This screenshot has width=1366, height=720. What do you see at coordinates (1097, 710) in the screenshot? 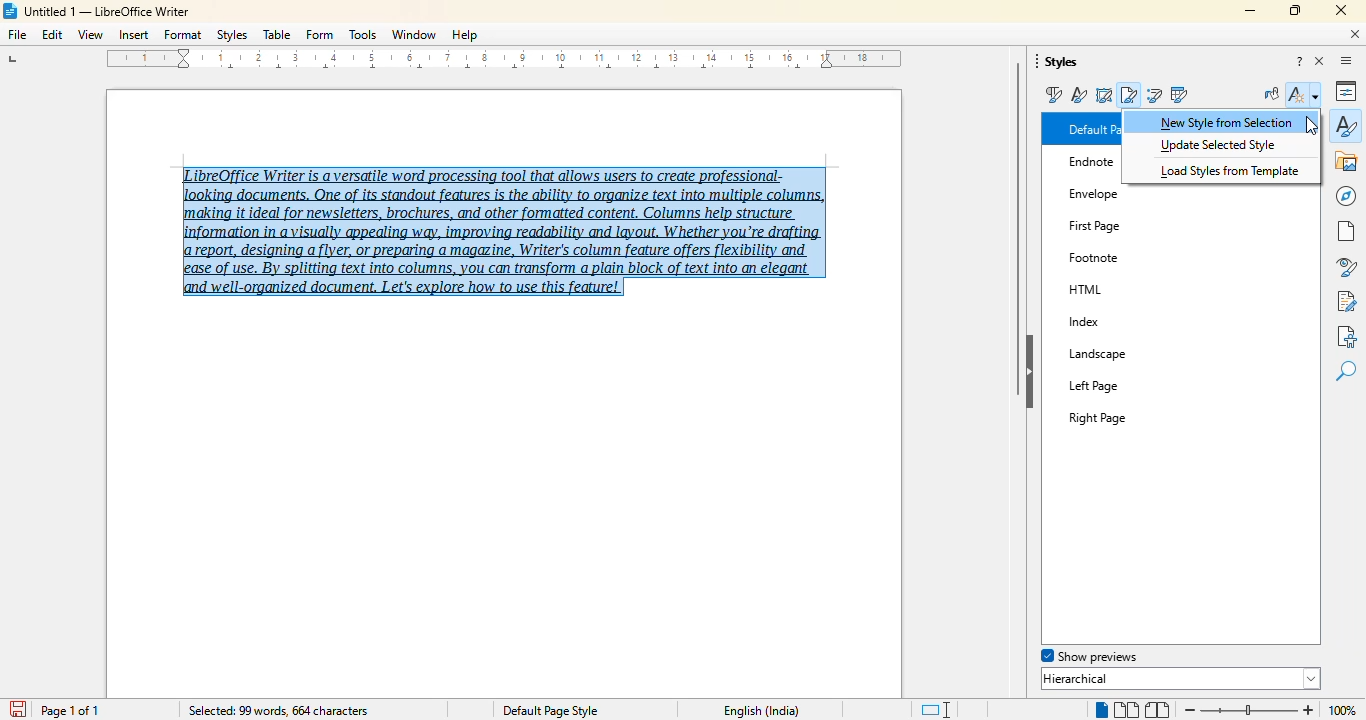
I see `single page view` at bounding box center [1097, 710].